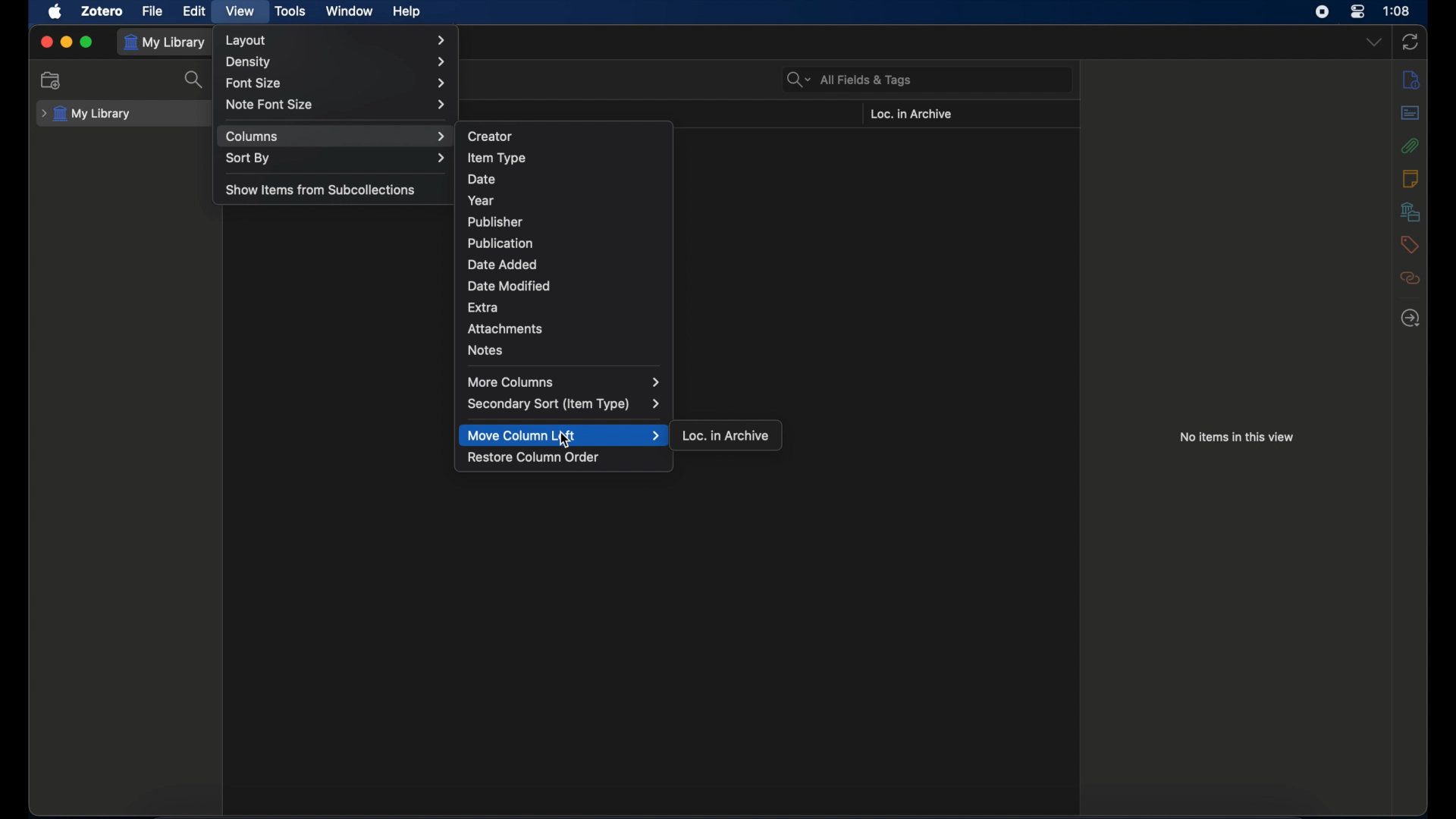 This screenshot has width=1456, height=819. Describe the element at coordinates (335, 40) in the screenshot. I see `layout` at that location.